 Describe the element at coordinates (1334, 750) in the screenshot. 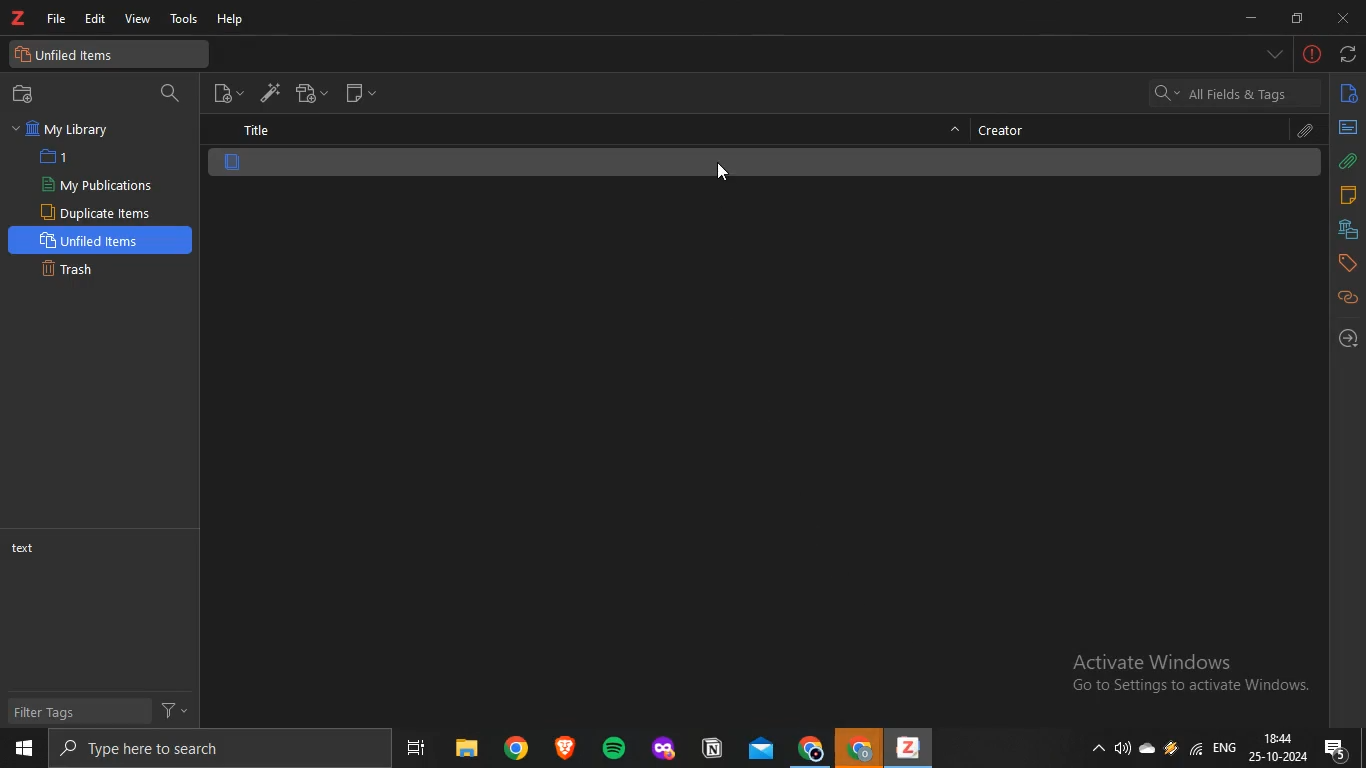

I see `notifications` at that location.